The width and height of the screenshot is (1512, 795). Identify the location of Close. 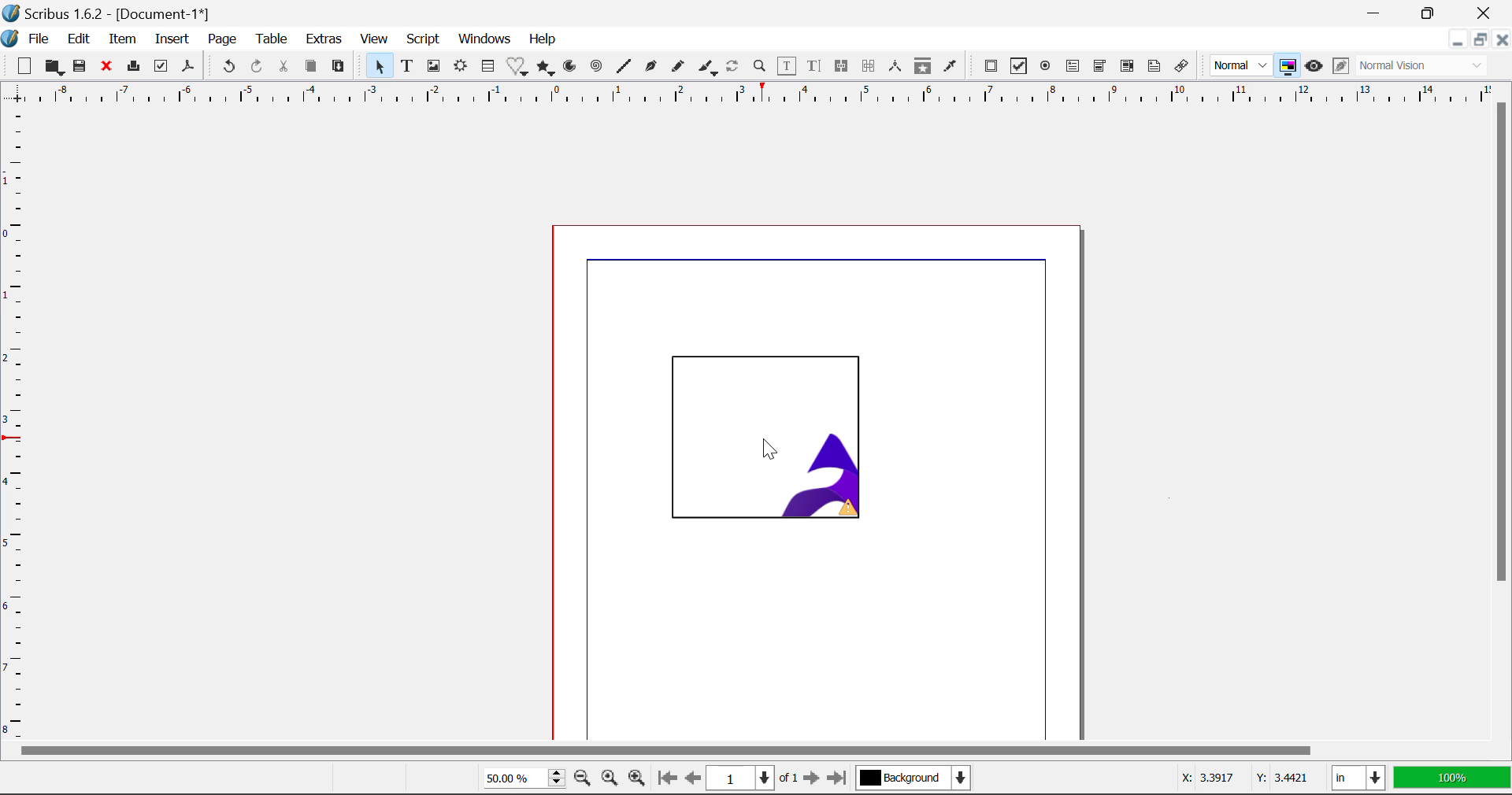
(106, 67).